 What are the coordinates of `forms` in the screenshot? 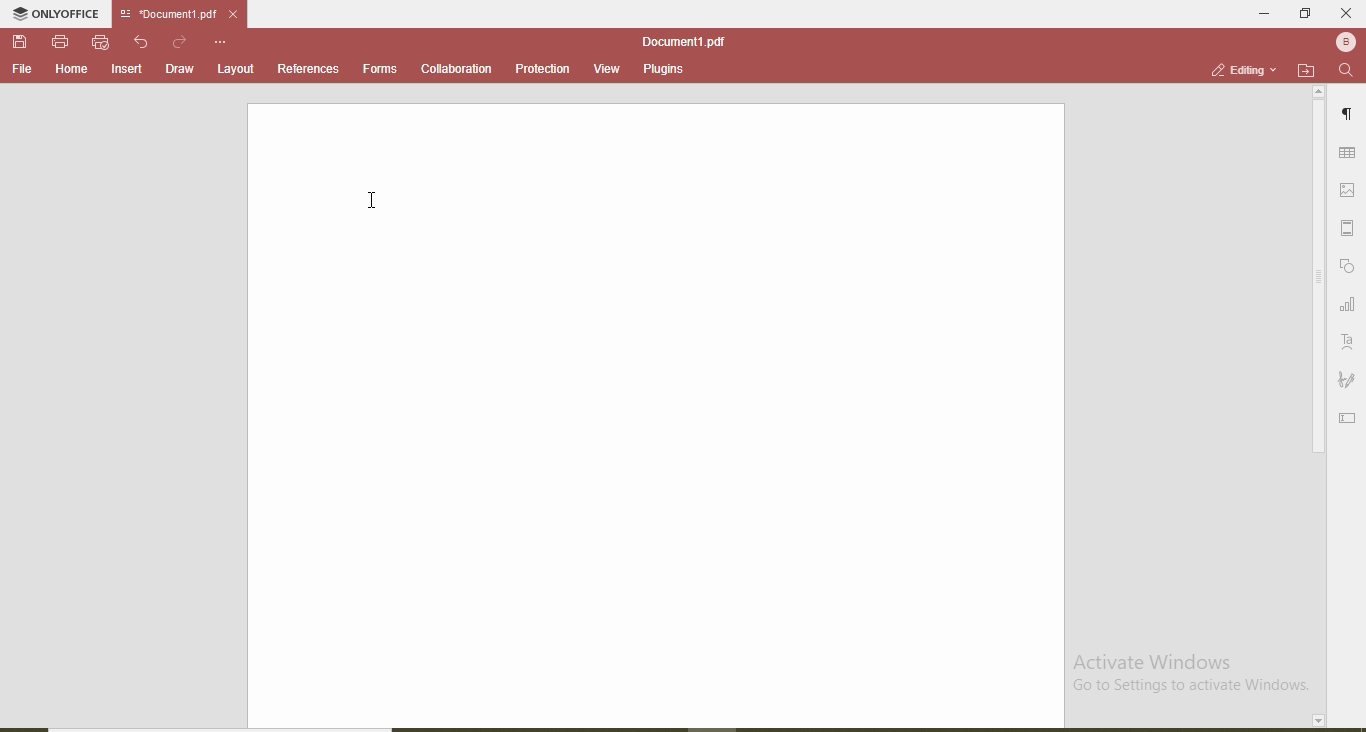 It's located at (380, 67).